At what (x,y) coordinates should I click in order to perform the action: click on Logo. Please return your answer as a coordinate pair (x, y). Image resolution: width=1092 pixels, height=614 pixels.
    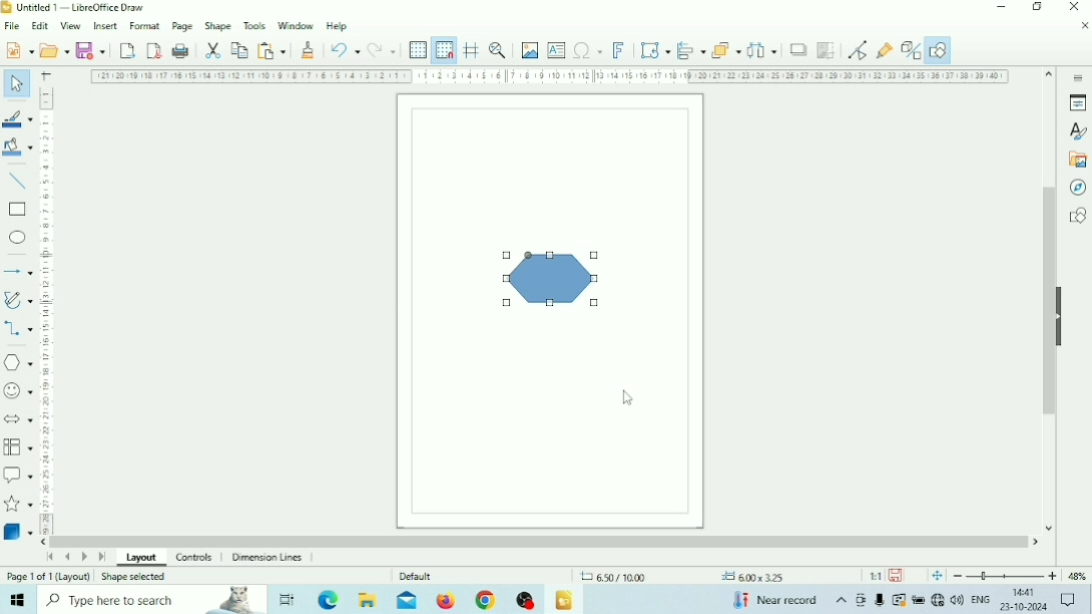
    Looking at the image, I should click on (7, 8).